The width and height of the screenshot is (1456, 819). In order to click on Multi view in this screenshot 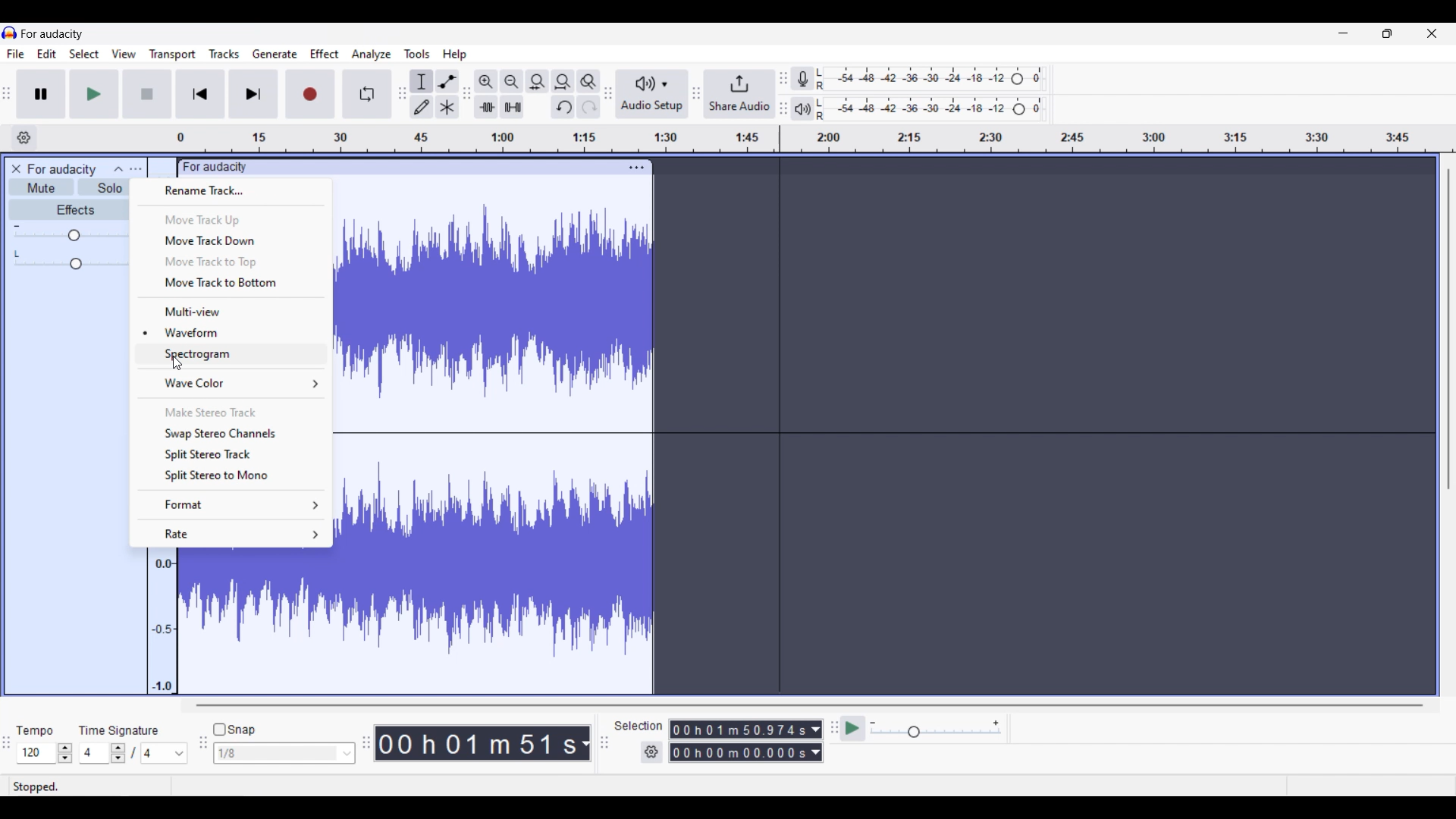, I will do `click(230, 310)`.